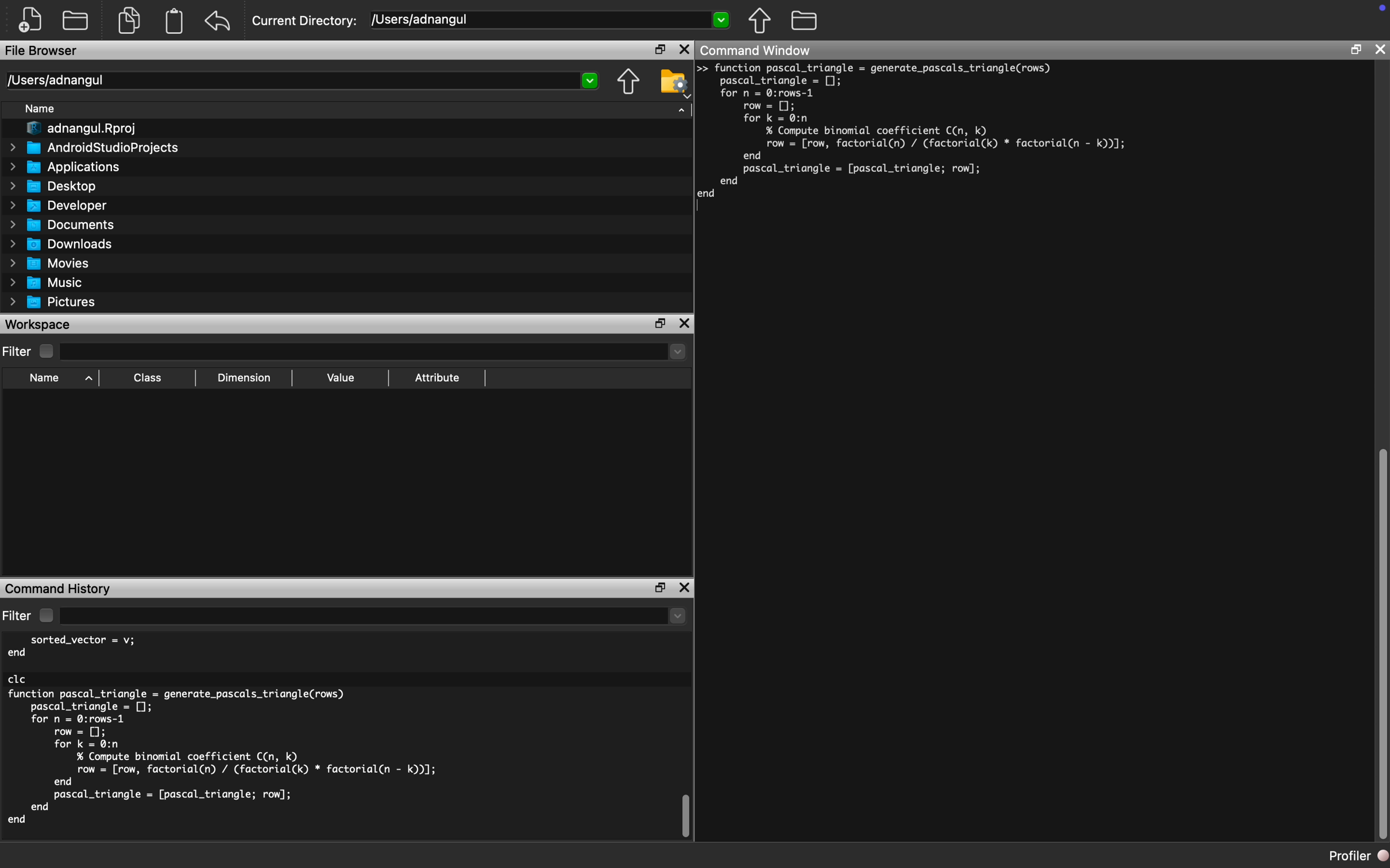  What do you see at coordinates (63, 226) in the screenshot?
I see `Documents` at bounding box center [63, 226].